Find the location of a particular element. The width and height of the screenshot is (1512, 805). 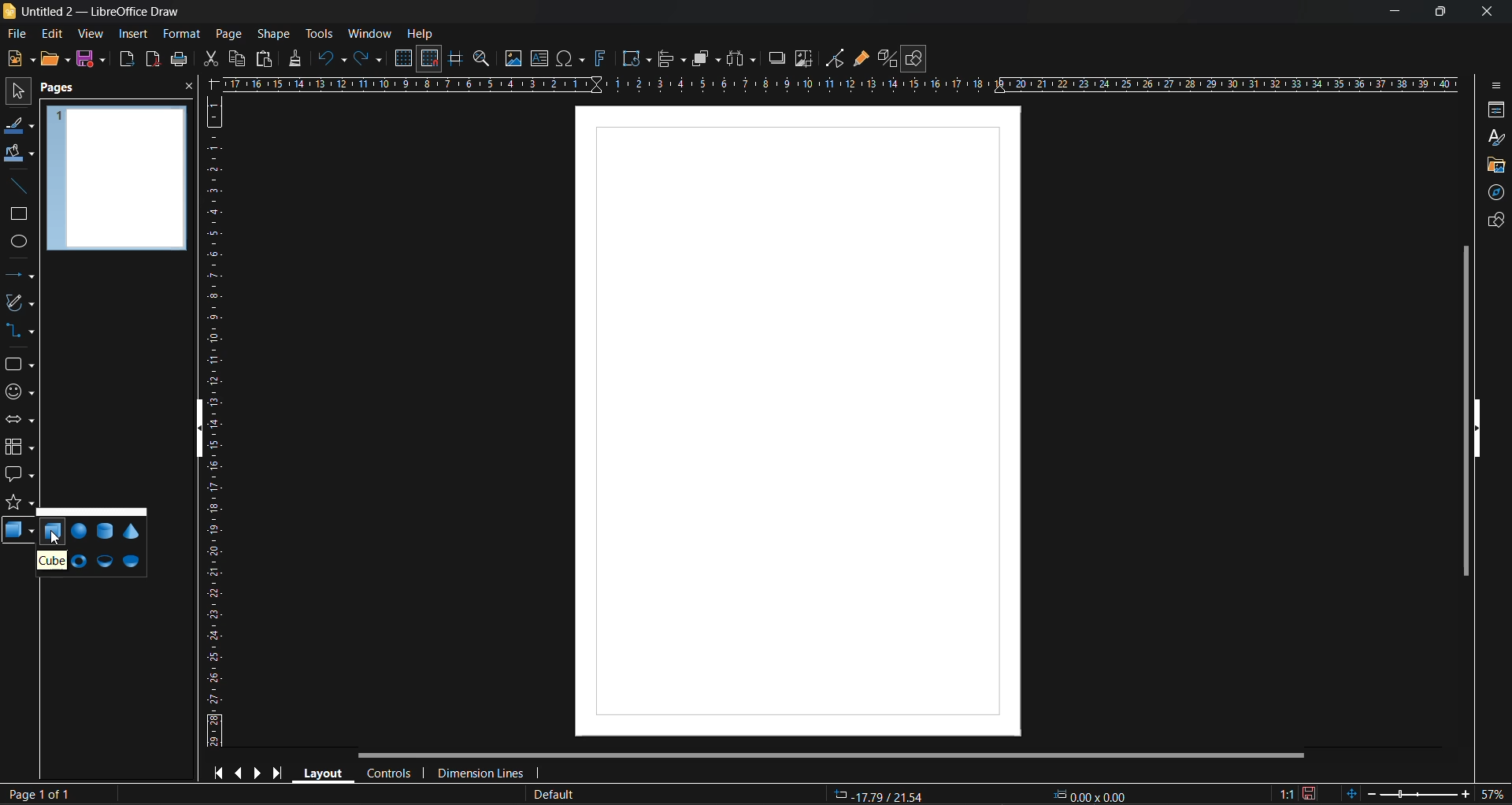

arrange is located at coordinates (704, 58).